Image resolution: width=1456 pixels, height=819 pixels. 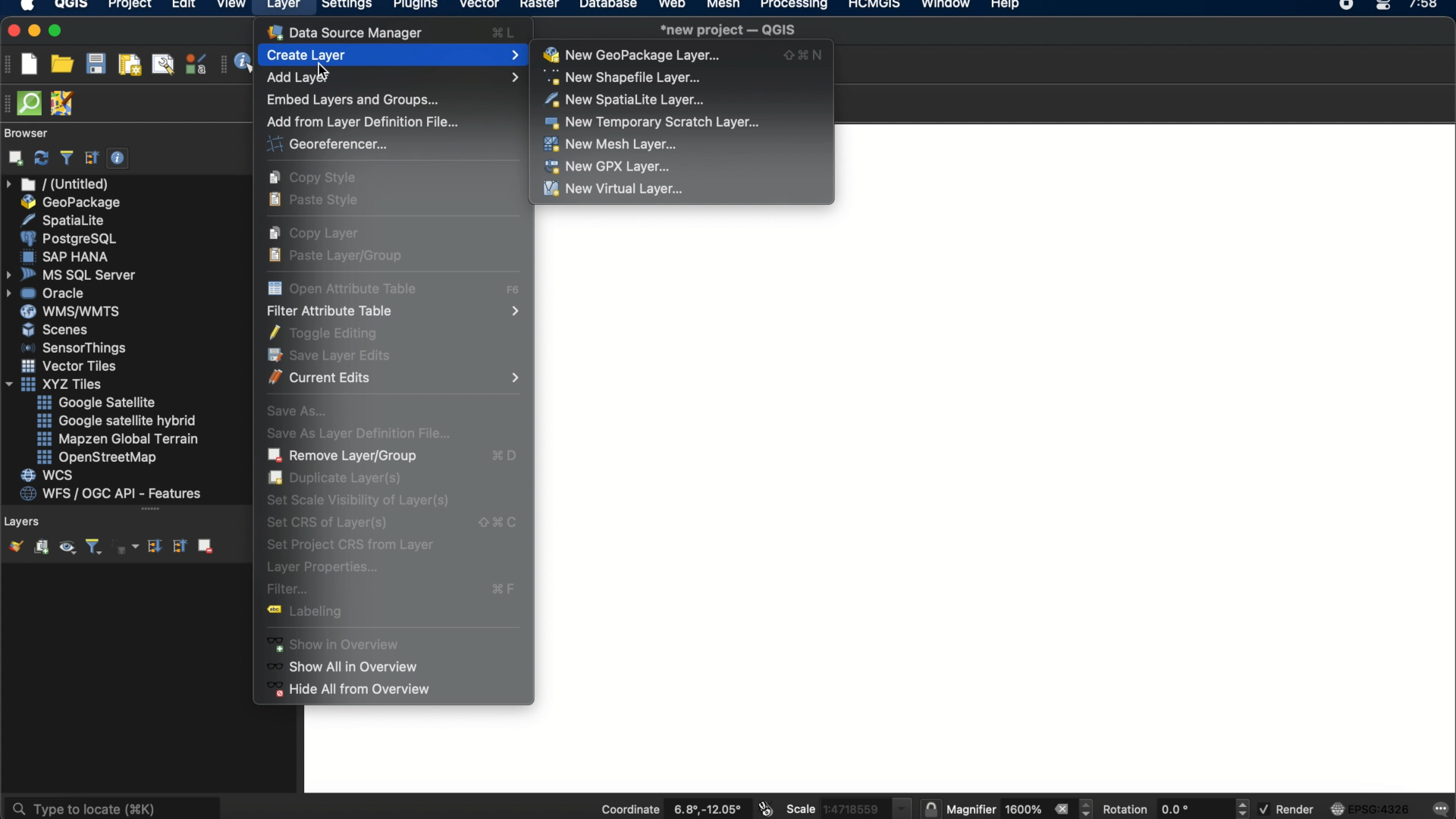 What do you see at coordinates (68, 239) in the screenshot?
I see `postgresql` at bounding box center [68, 239].